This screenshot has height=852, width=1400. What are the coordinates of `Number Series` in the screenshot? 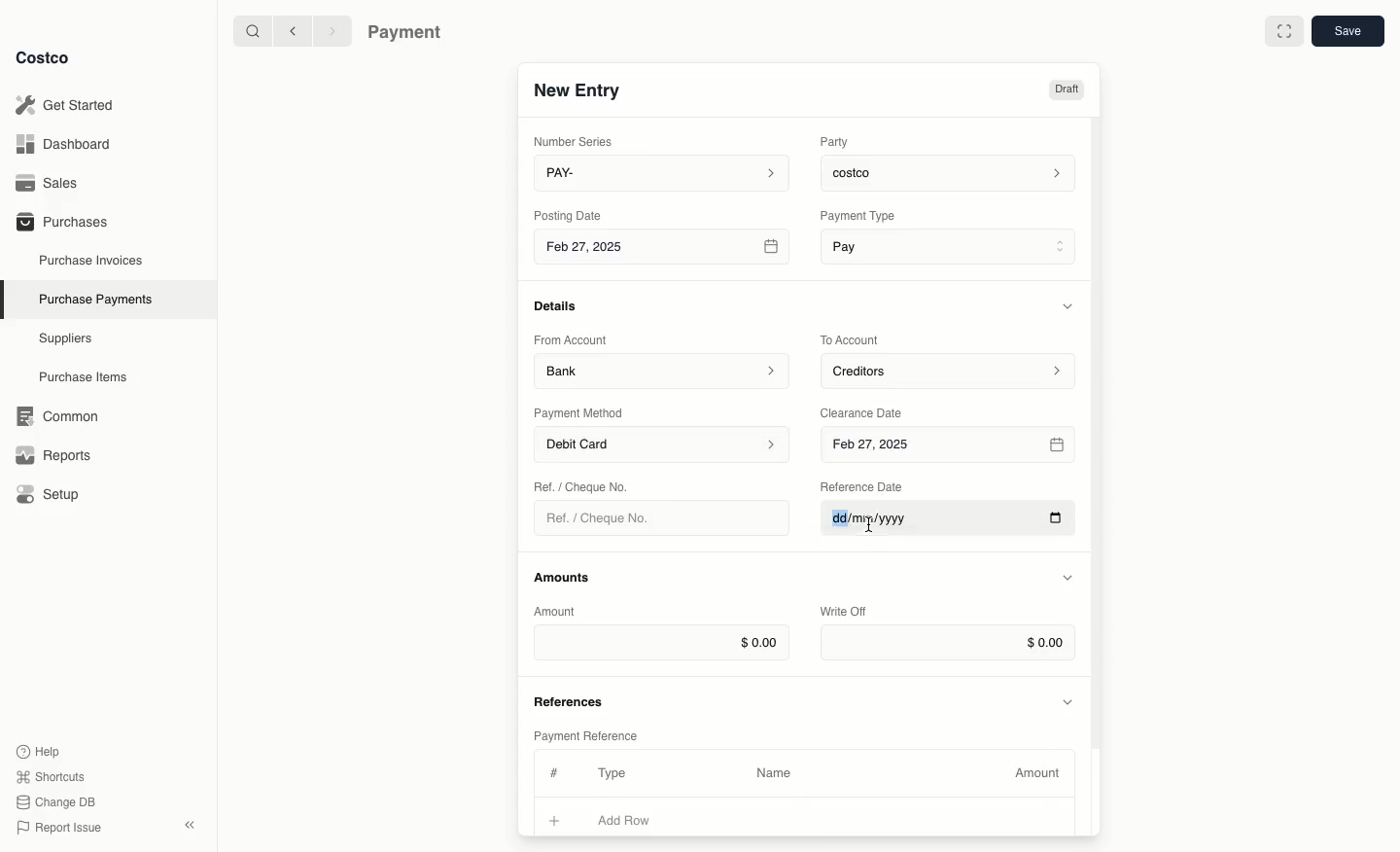 It's located at (577, 141).